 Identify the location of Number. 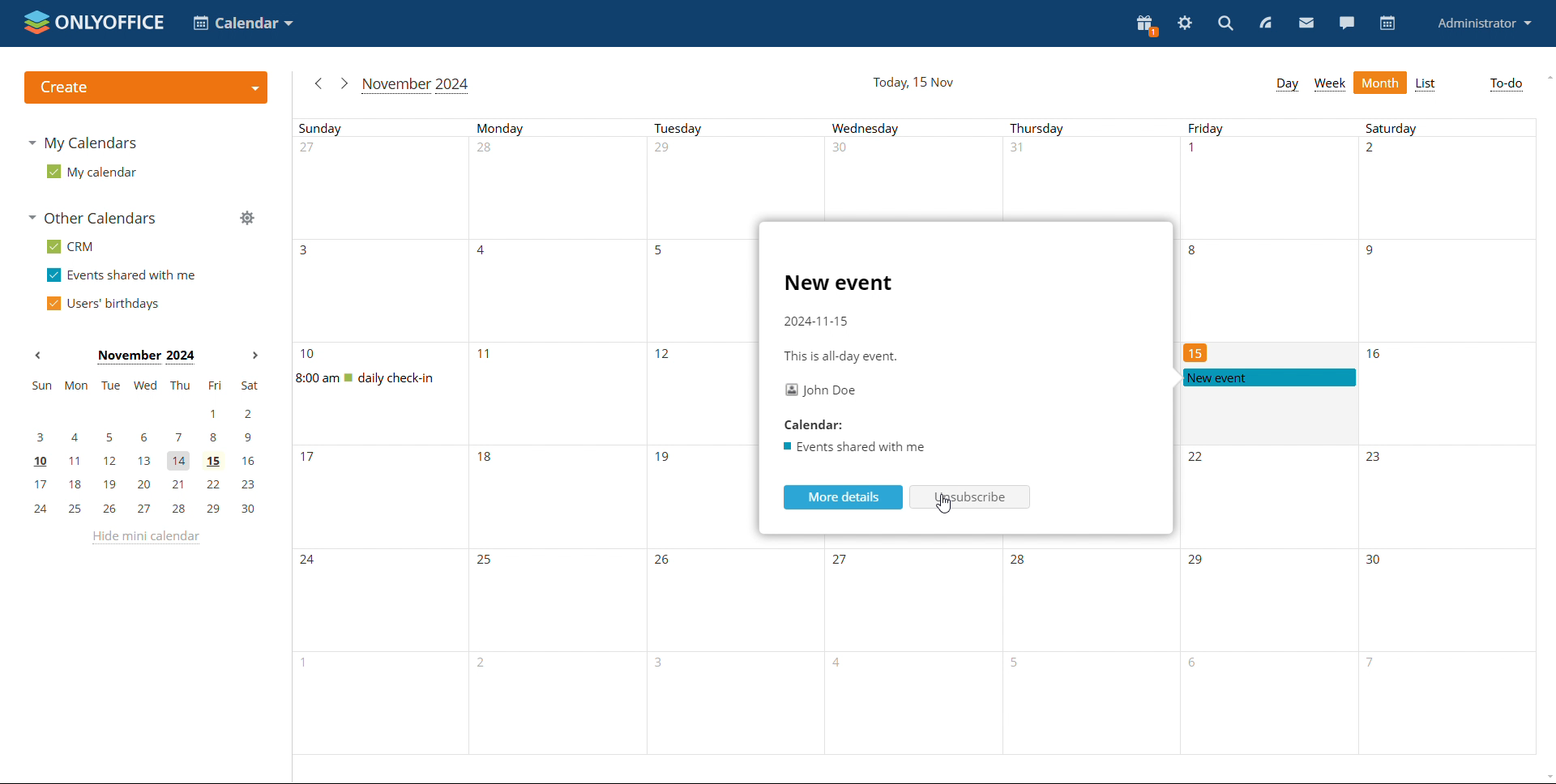
(1200, 562).